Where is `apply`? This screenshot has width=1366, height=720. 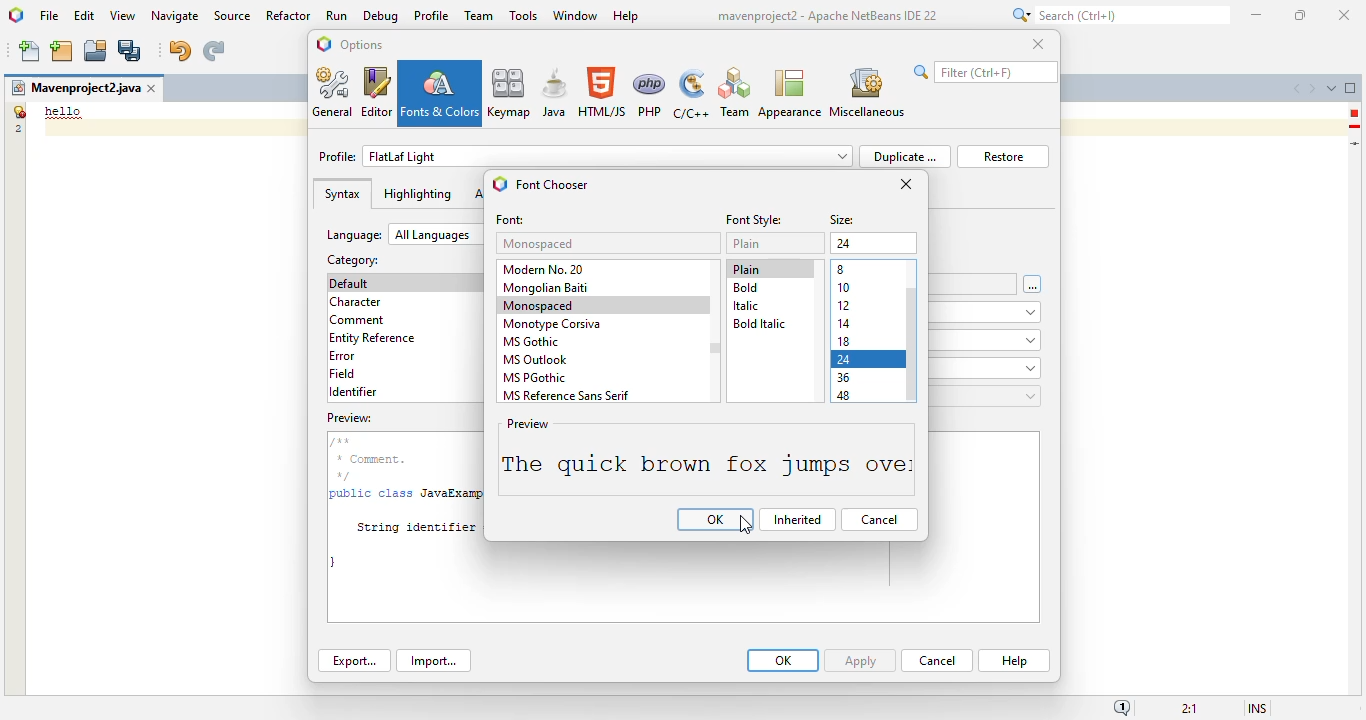 apply is located at coordinates (860, 661).